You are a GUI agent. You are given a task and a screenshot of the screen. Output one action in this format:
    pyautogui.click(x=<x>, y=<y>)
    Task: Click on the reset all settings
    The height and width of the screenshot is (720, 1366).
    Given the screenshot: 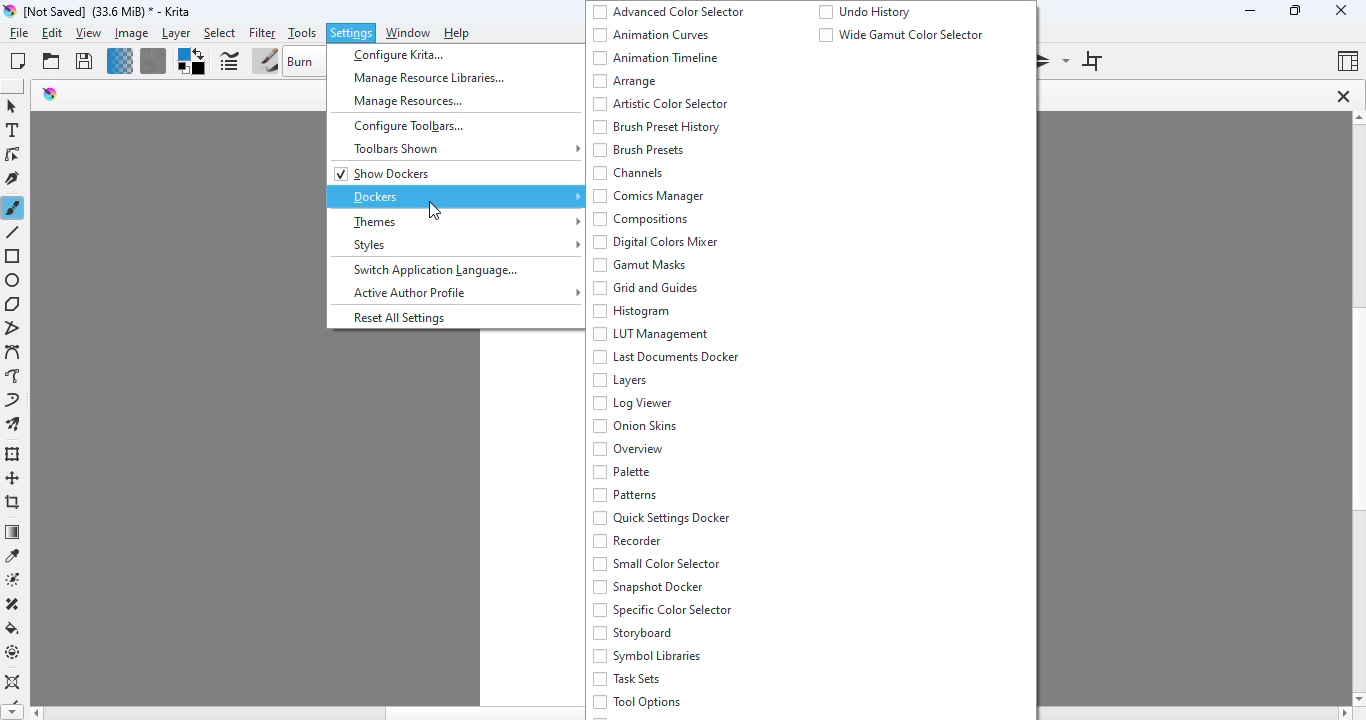 What is the action you would take?
    pyautogui.click(x=399, y=317)
    